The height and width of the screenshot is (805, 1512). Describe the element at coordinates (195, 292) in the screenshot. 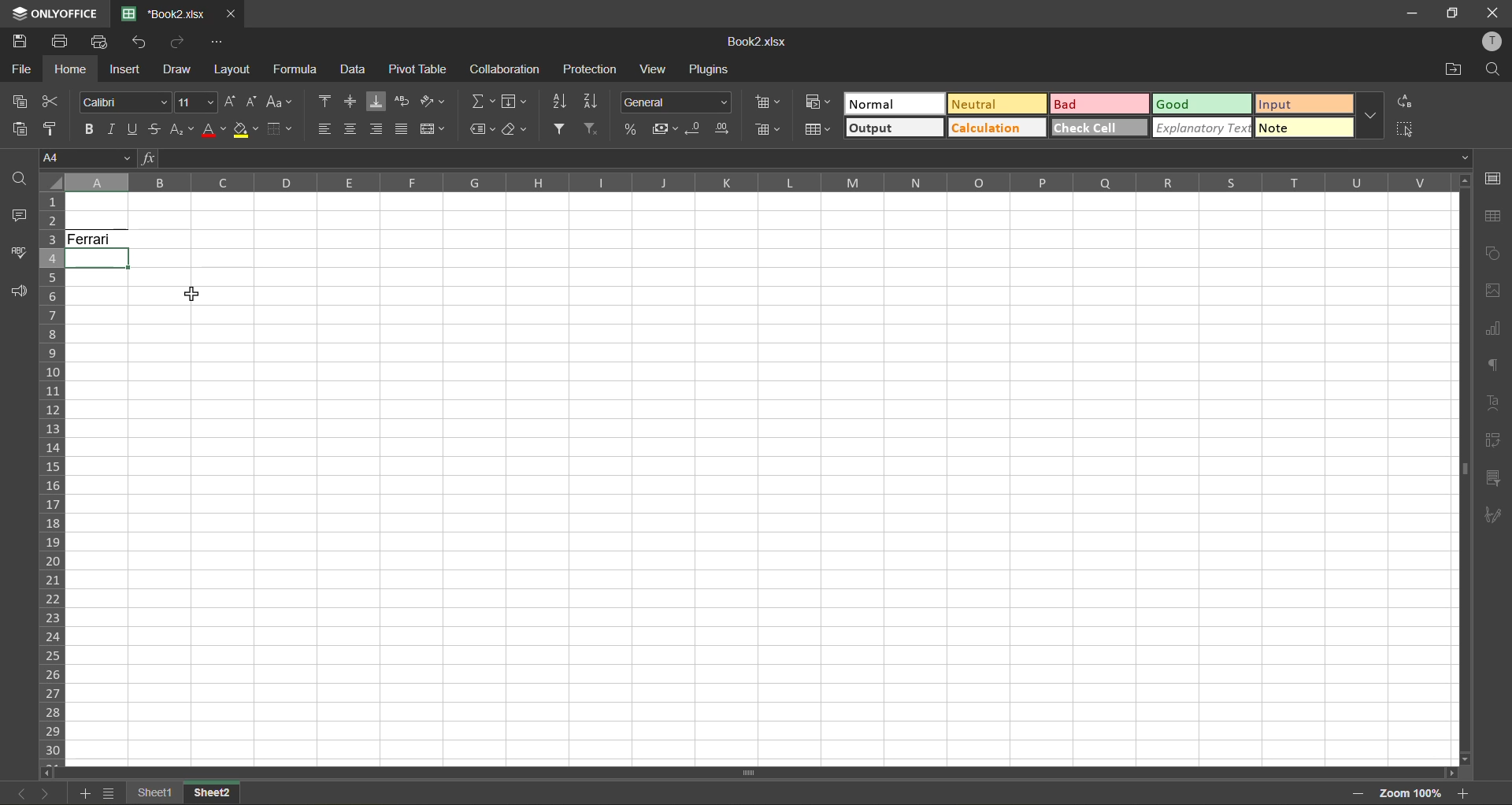

I see `cursor` at that location.